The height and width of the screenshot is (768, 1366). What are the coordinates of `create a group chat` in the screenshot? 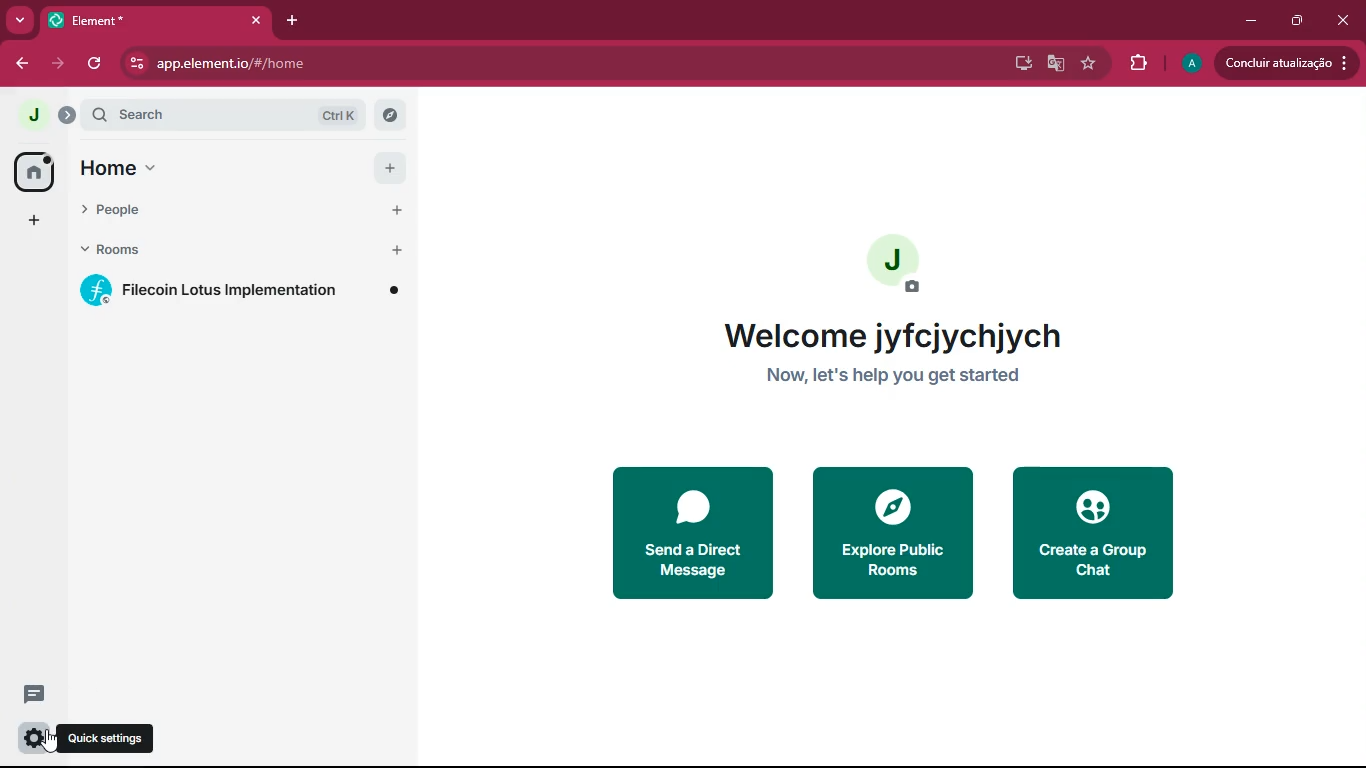 It's located at (1092, 534).